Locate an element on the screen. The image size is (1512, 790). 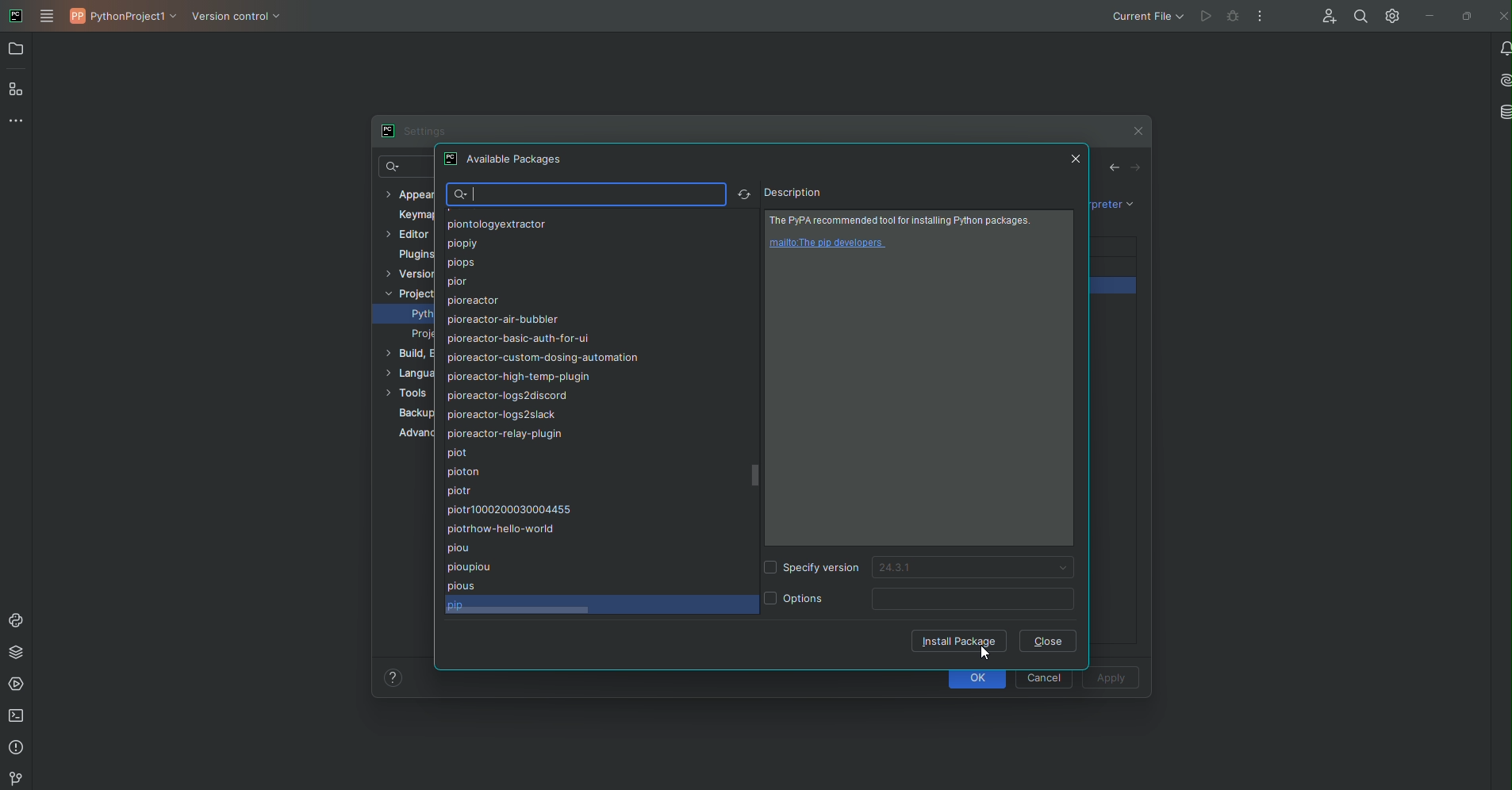
Pip is located at coordinates (461, 604).